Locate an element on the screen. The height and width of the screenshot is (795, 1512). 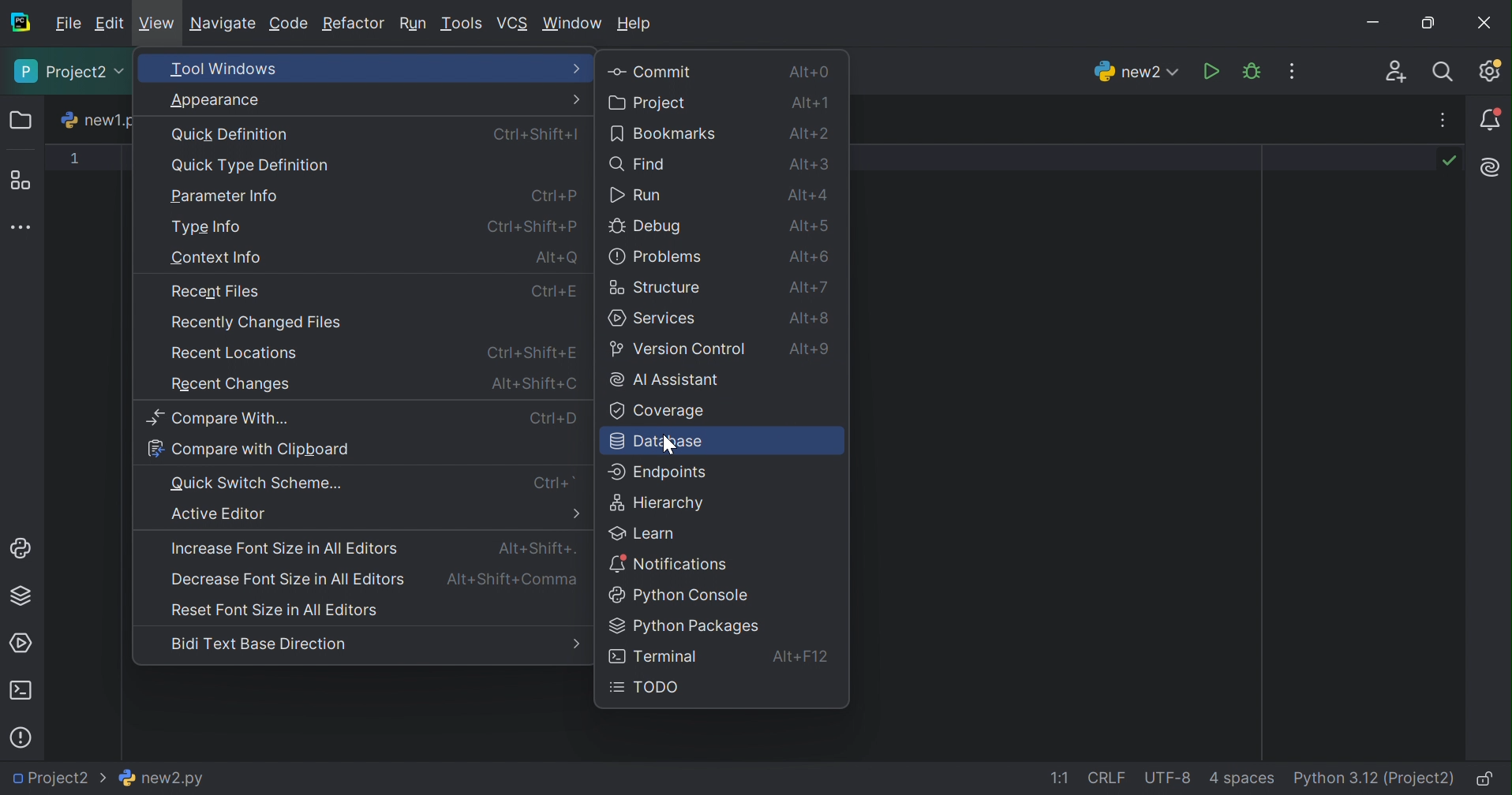
Apearance is located at coordinates (219, 100).